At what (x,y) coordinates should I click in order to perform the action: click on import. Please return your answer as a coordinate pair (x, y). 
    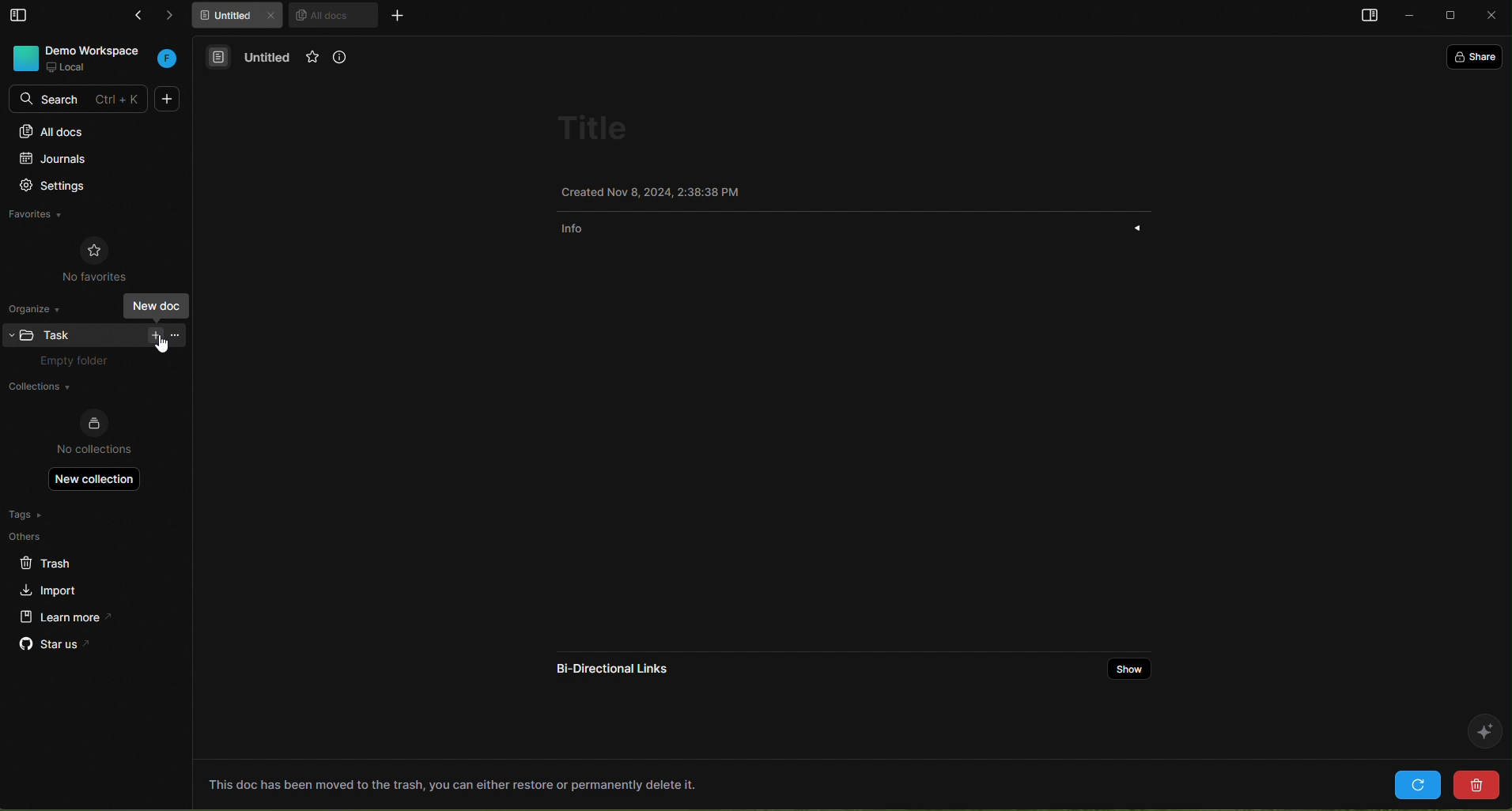
    Looking at the image, I should click on (51, 588).